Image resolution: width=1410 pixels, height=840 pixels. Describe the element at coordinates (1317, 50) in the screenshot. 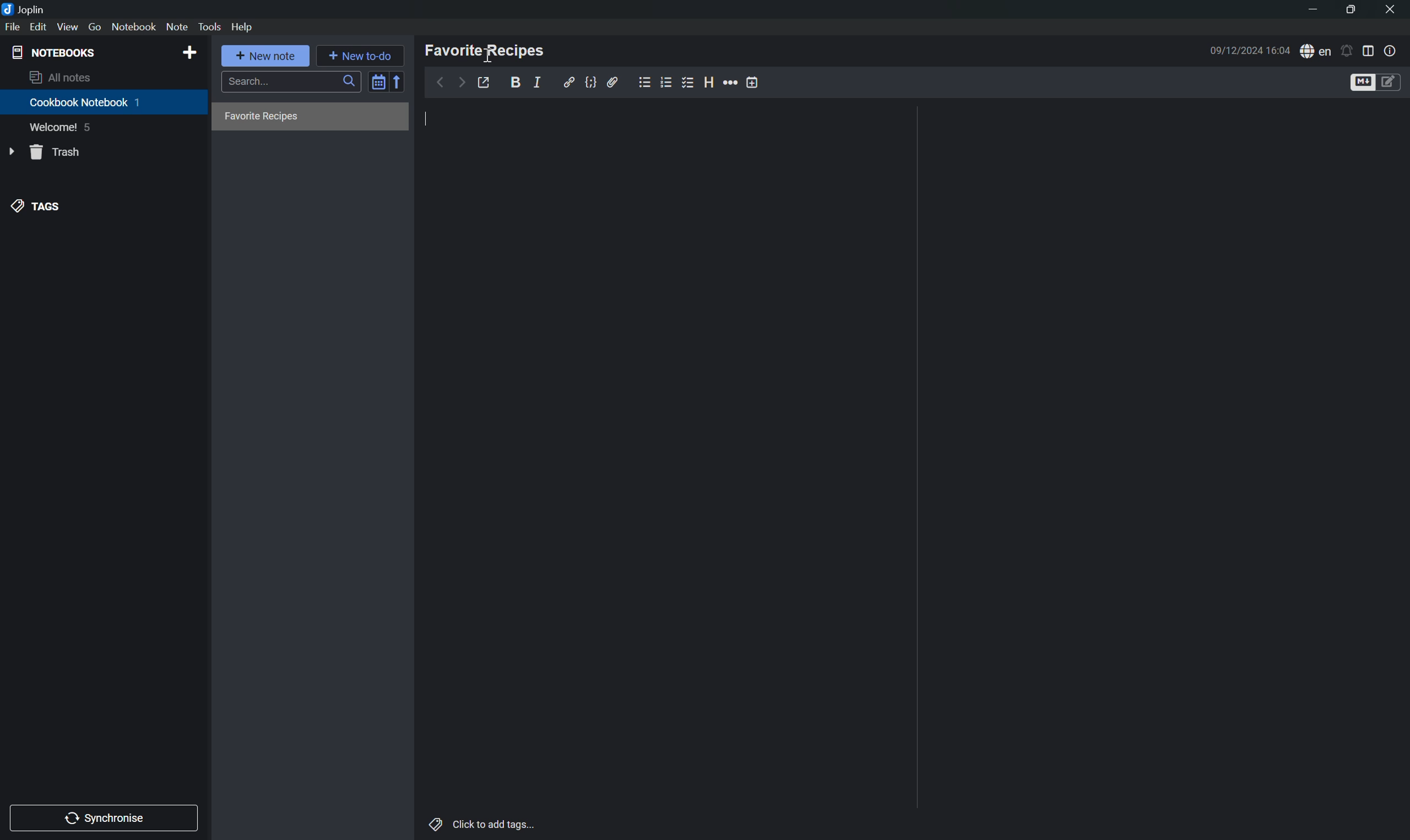

I see `Spell checker` at that location.